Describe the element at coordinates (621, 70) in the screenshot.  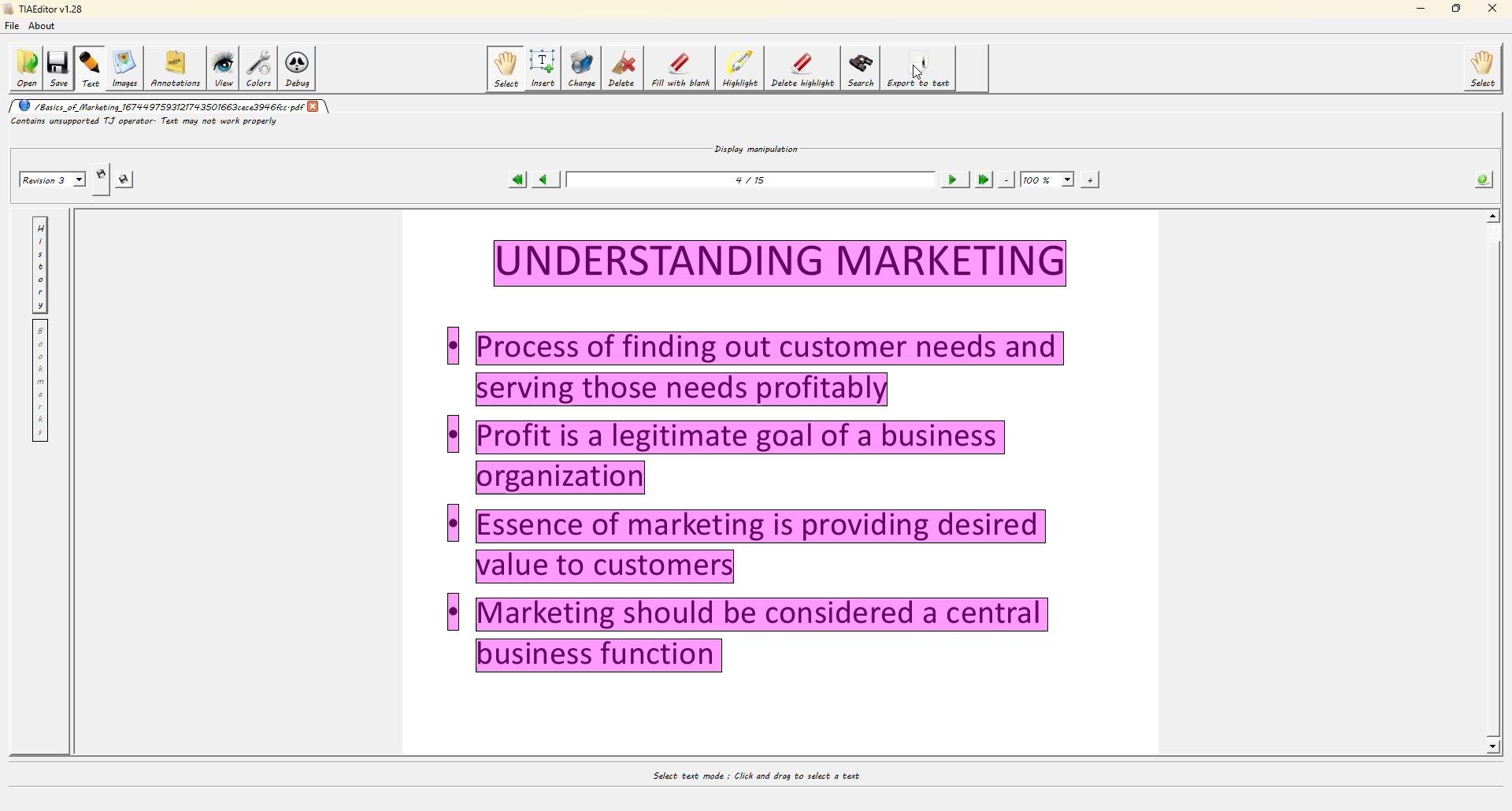
I see `delete` at that location.